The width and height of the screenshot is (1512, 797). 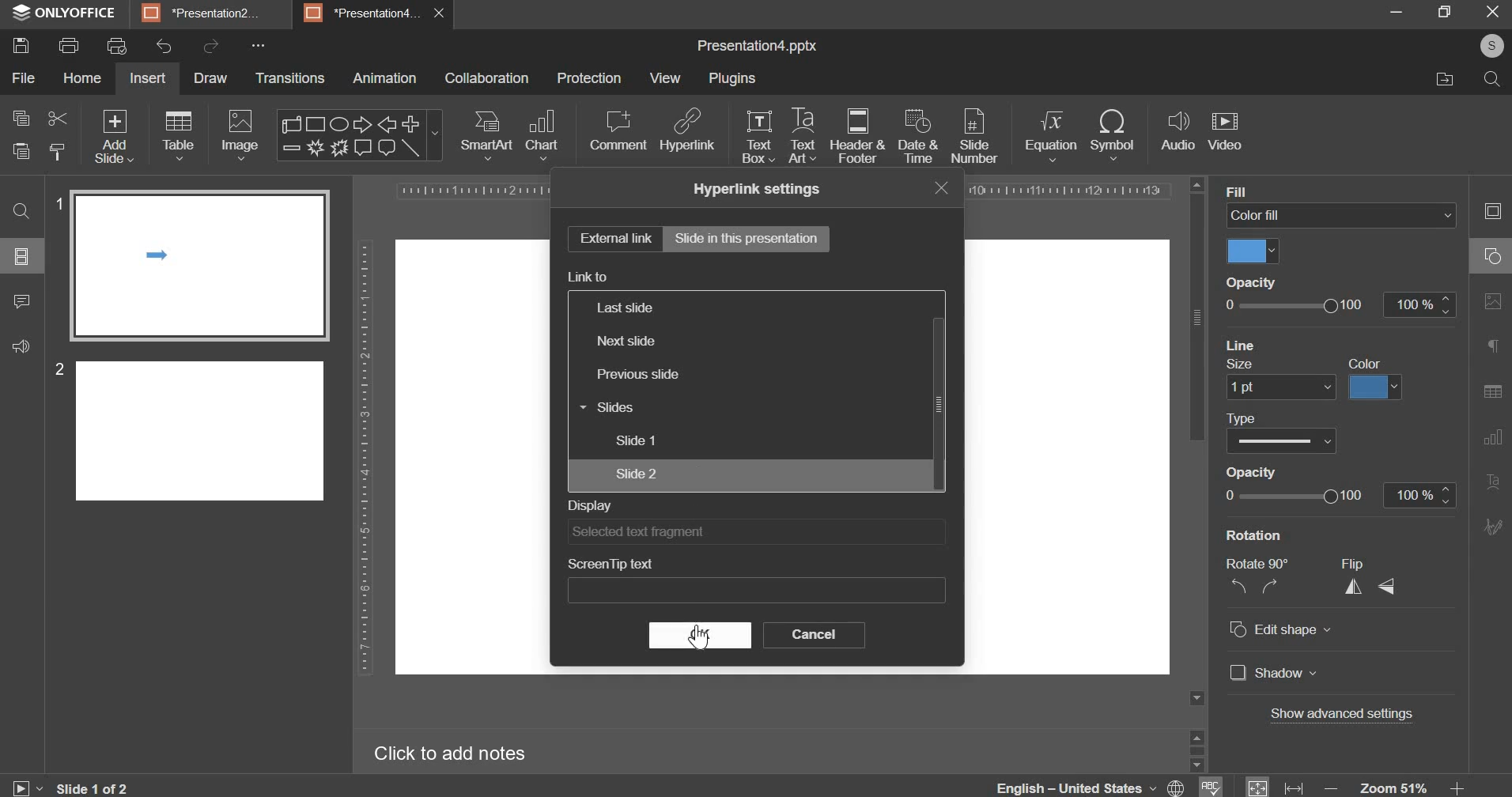 What do you see at coordinates (1091, 784) in the screenshot?
I see `language` at bounding box center [1091, 784].